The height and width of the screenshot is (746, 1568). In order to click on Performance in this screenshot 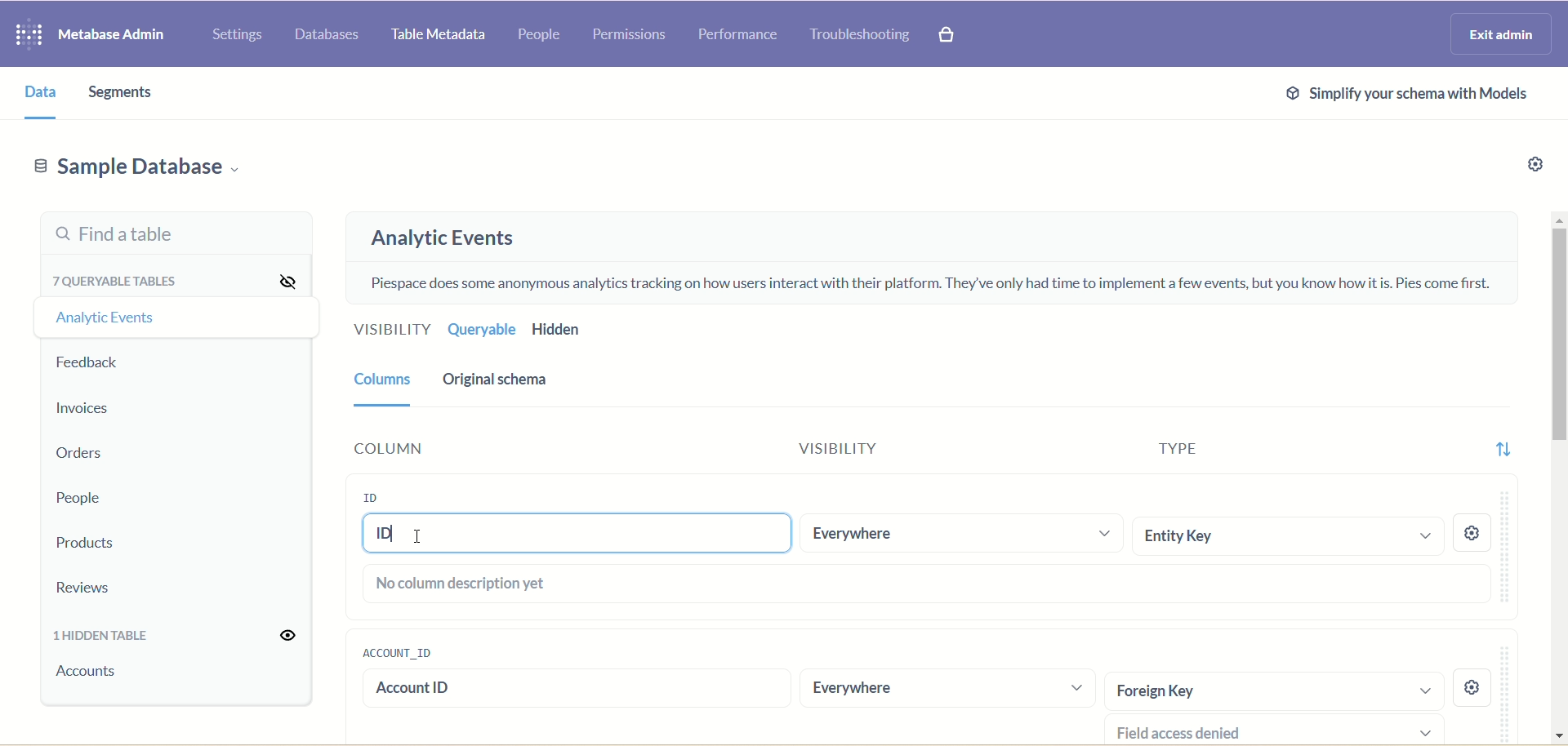, I will do `click(741, 39)`.